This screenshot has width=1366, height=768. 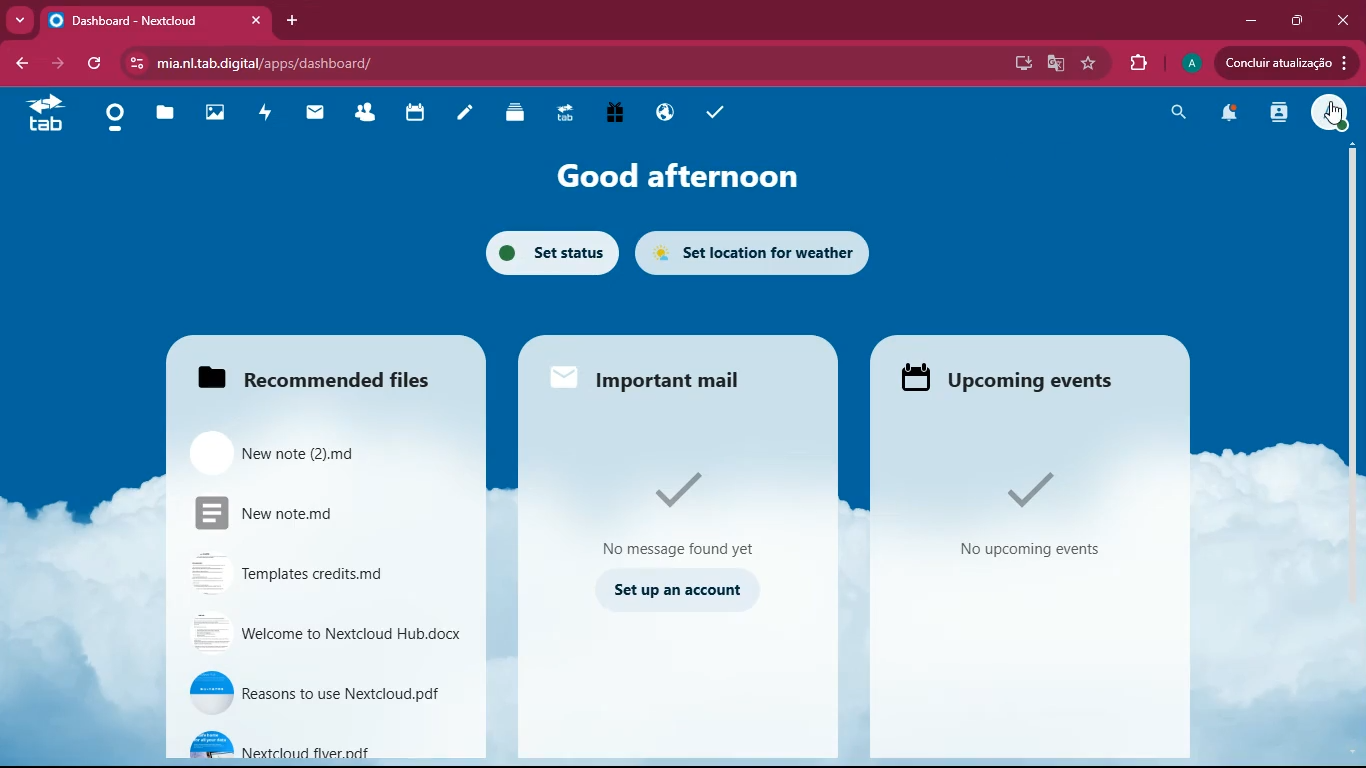 What do you see at coordinates (323, 633) in the screenshot?
I see `file` at bounding box center [323, 633].